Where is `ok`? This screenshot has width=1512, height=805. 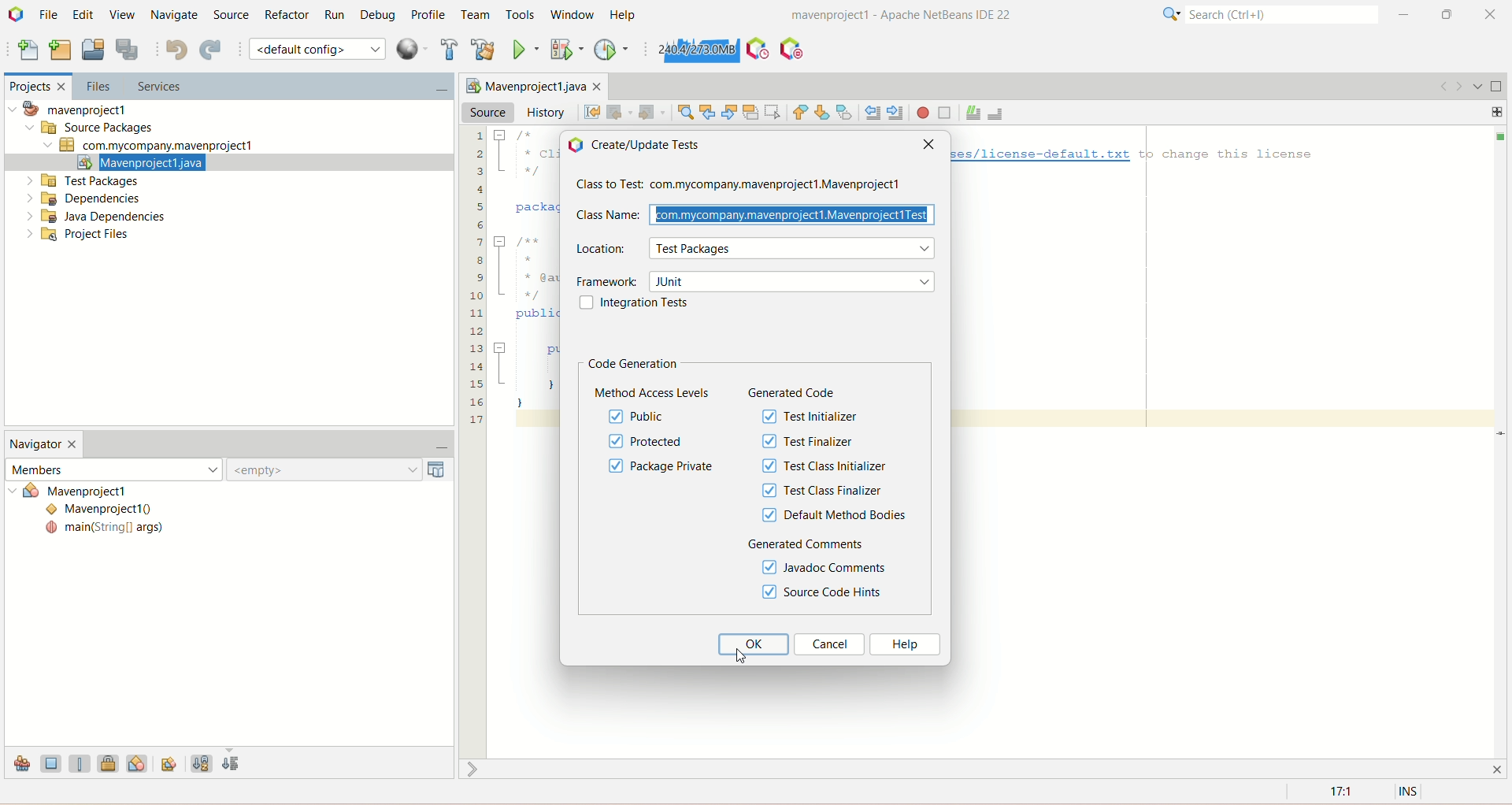
ok is located at coordinates (750, 645).